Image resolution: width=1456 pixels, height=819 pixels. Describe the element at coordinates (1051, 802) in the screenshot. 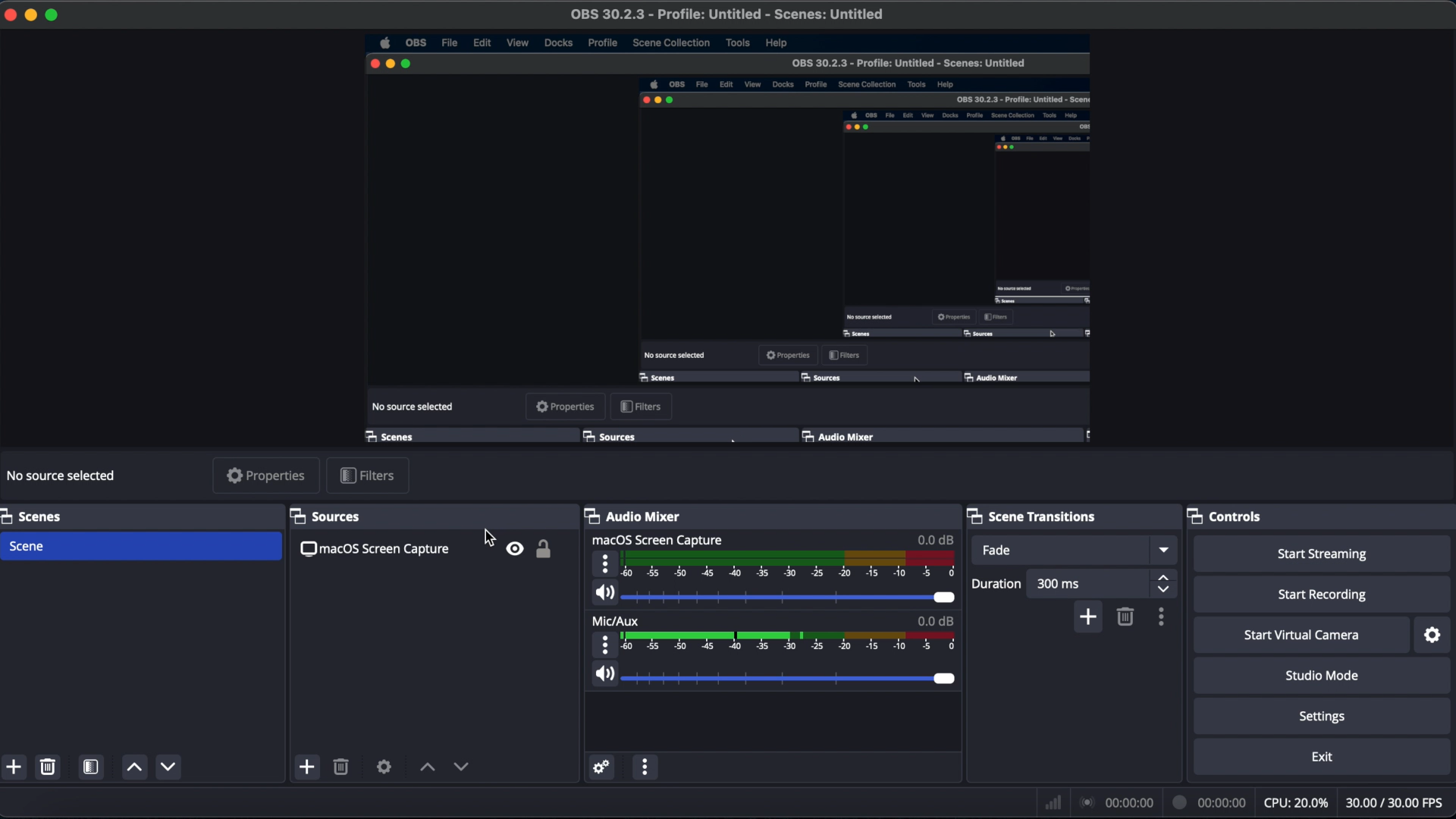

I see `network icon` at that location.